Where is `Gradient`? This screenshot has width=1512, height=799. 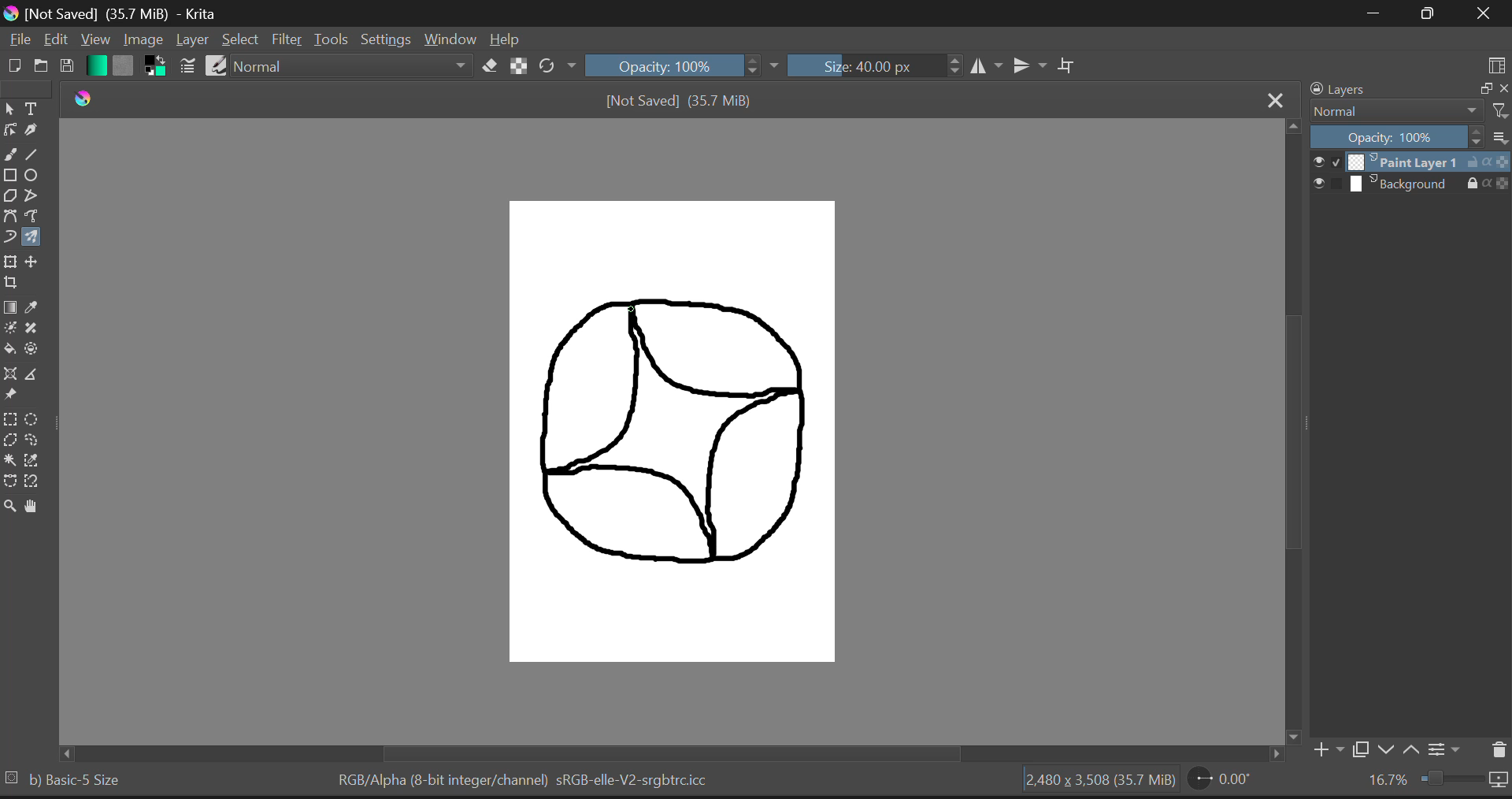
Gradient is located at coordinates (96, 65).